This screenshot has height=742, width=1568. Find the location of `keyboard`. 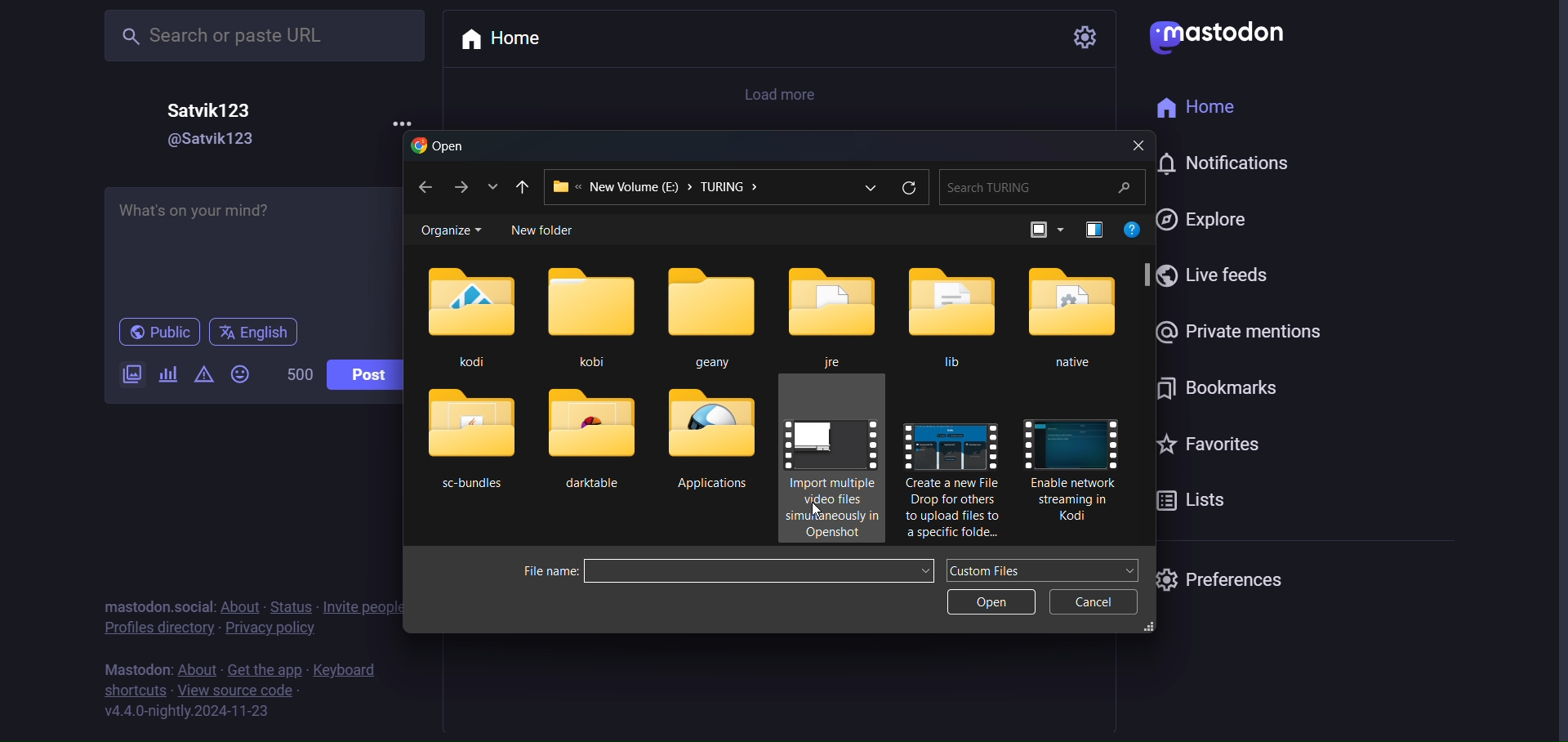

keyboard is located at coordinates (344, 670).